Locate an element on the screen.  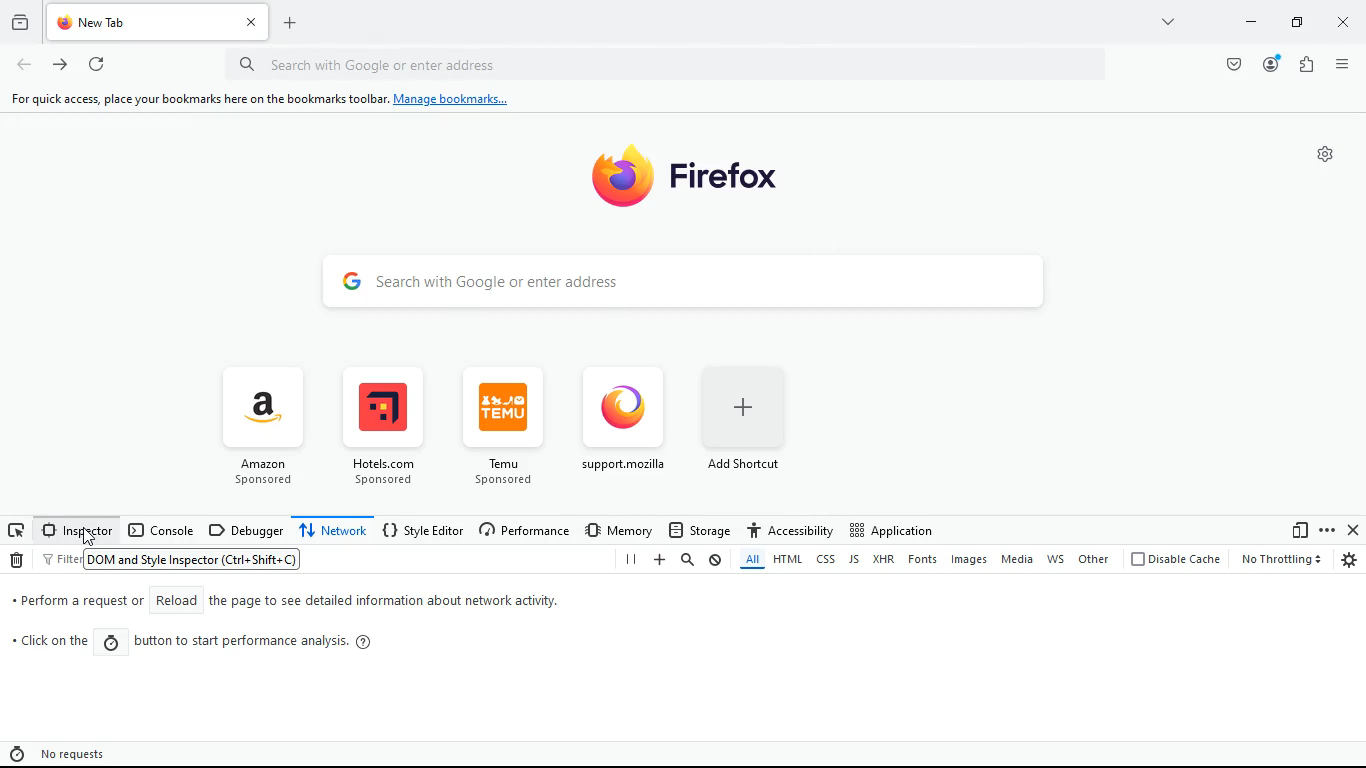
profile is located at coordinates (1272, 65).